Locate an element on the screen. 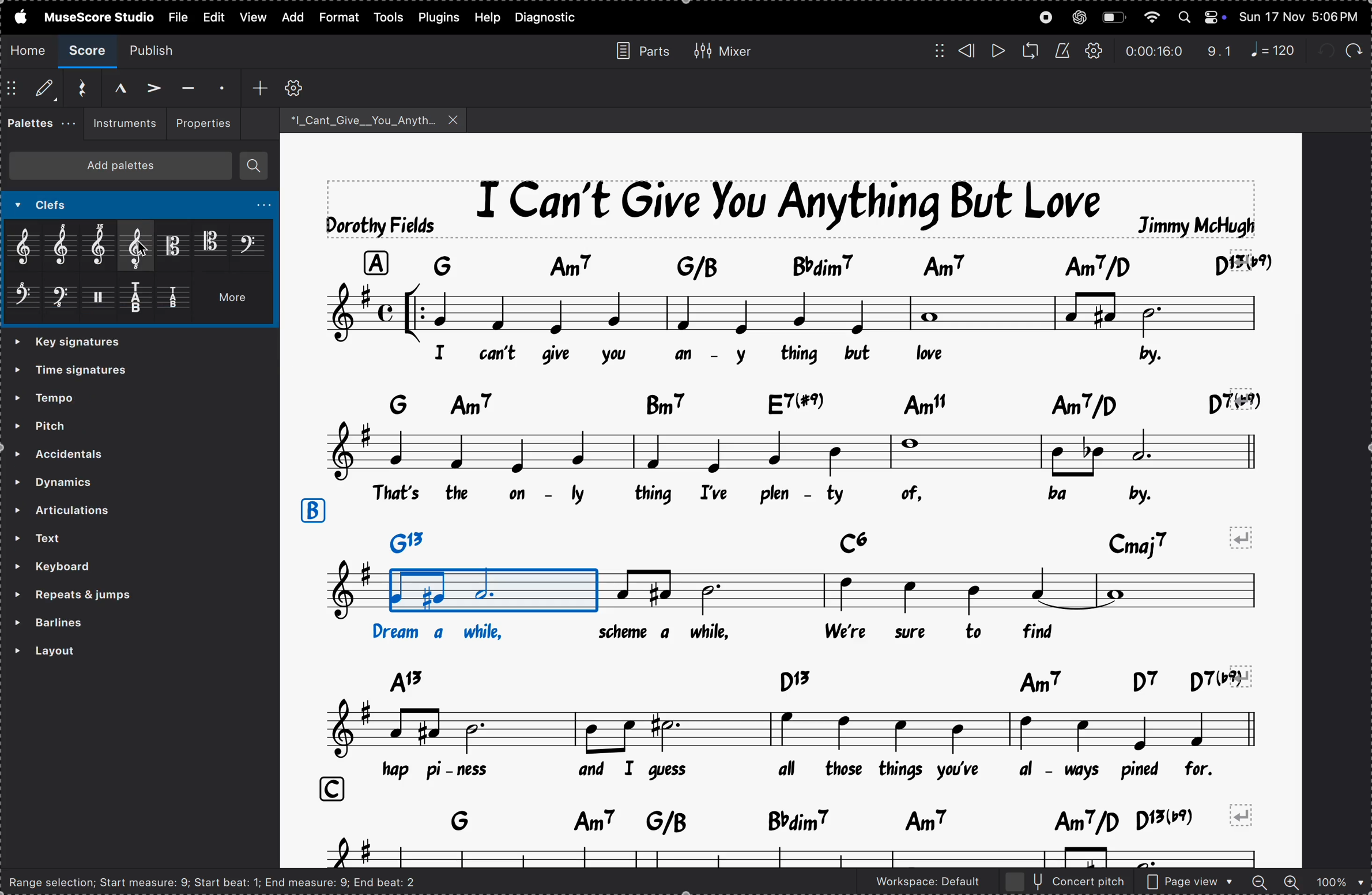 This screenshot has height=895, width=1372. accent is located at coordinates (149, 86).